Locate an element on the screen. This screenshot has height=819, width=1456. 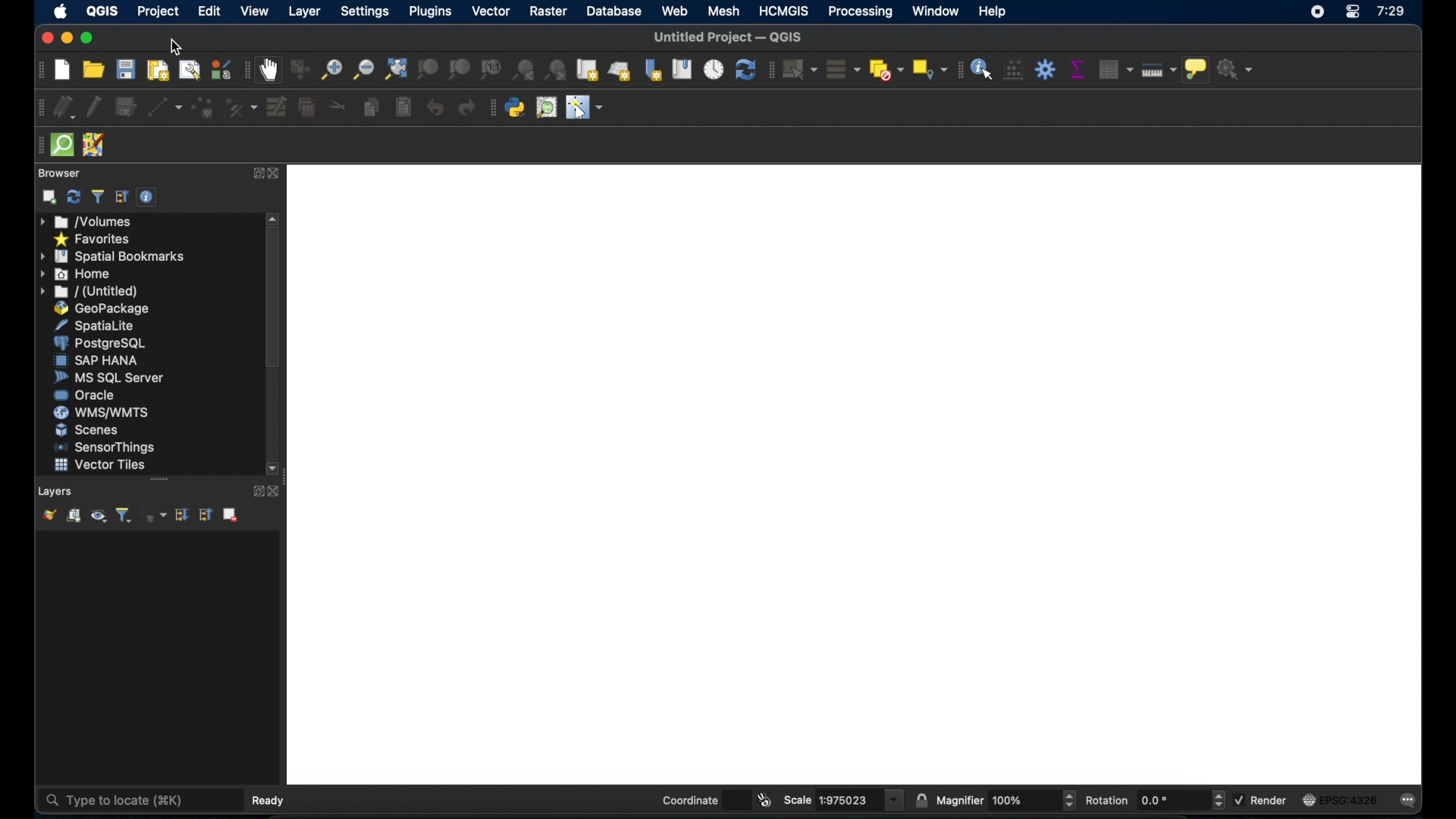
checked checkbox is located at coordinates (1239, 799).